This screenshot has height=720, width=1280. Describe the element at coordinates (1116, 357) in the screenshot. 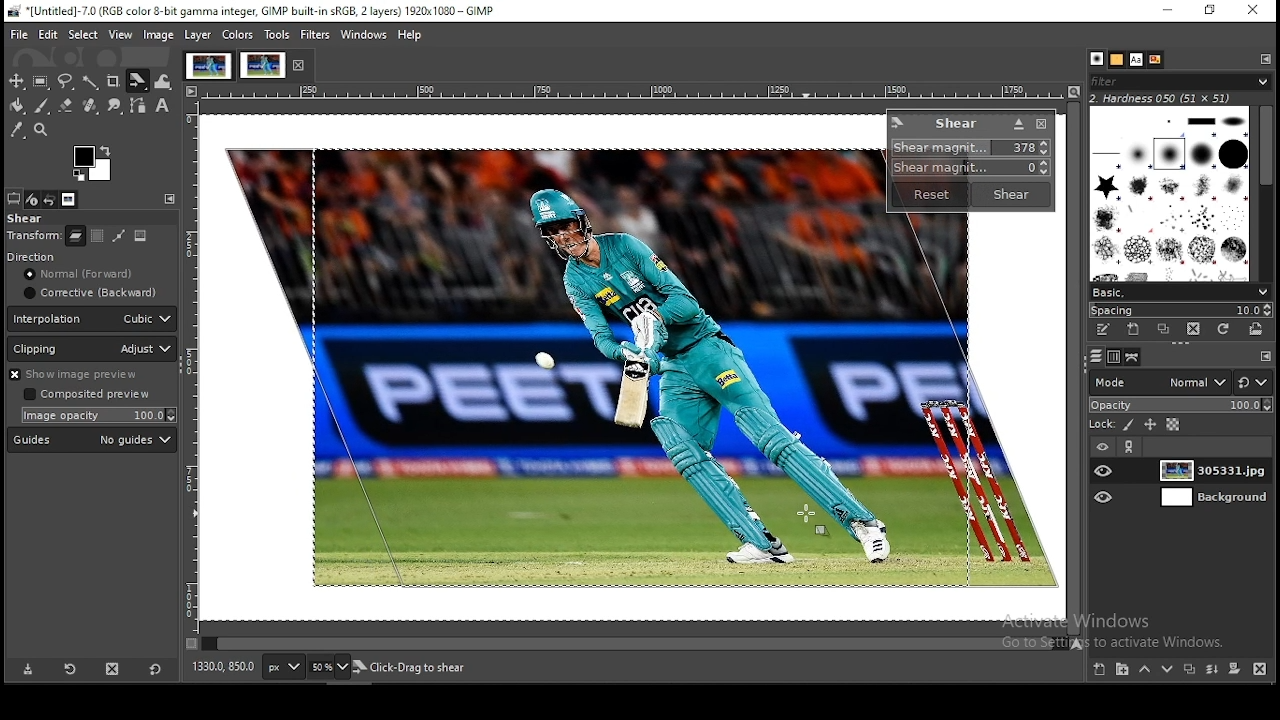

I see `channels` at that location.